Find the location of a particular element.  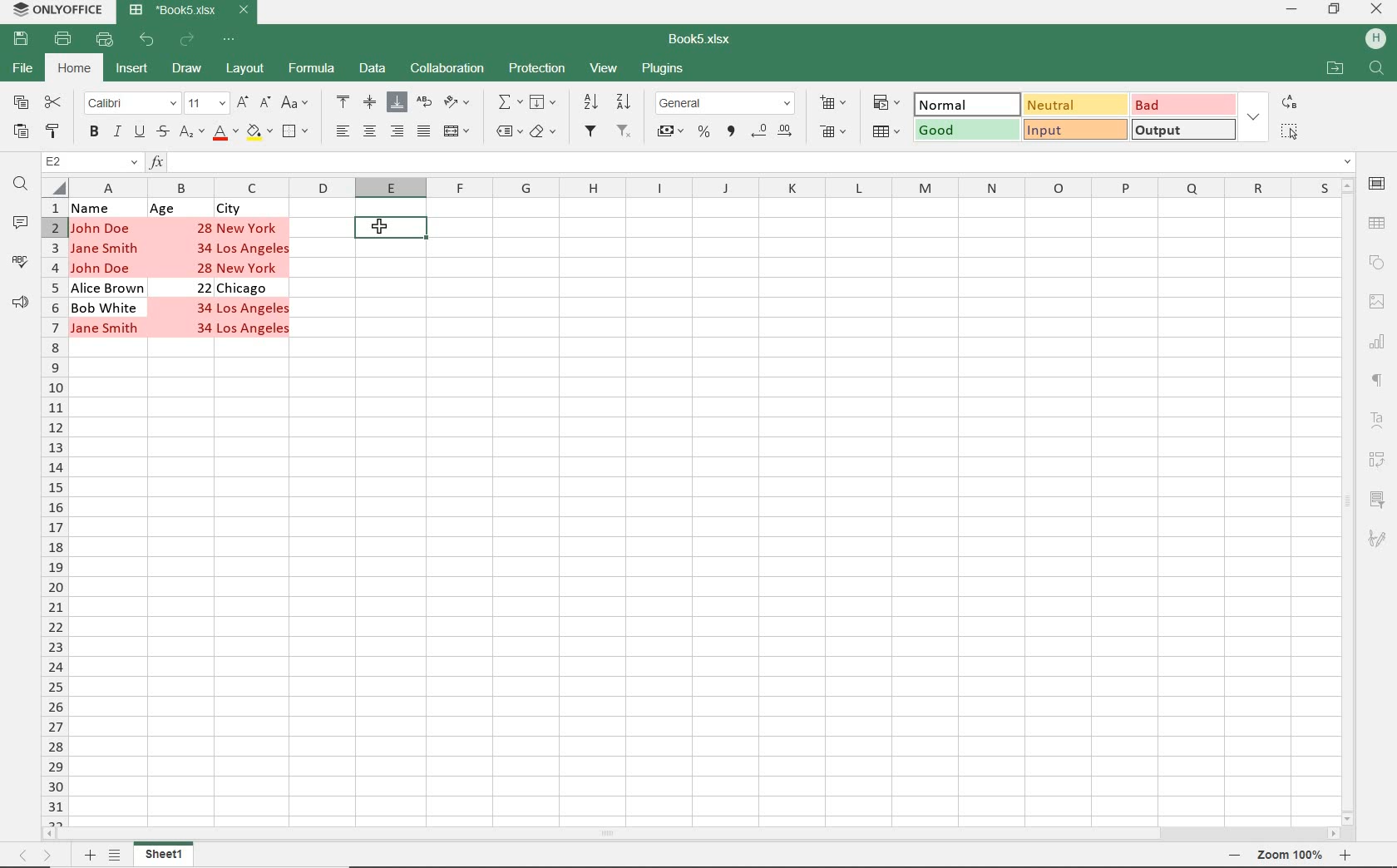

INPUT is located at coordinates (1074, 129).